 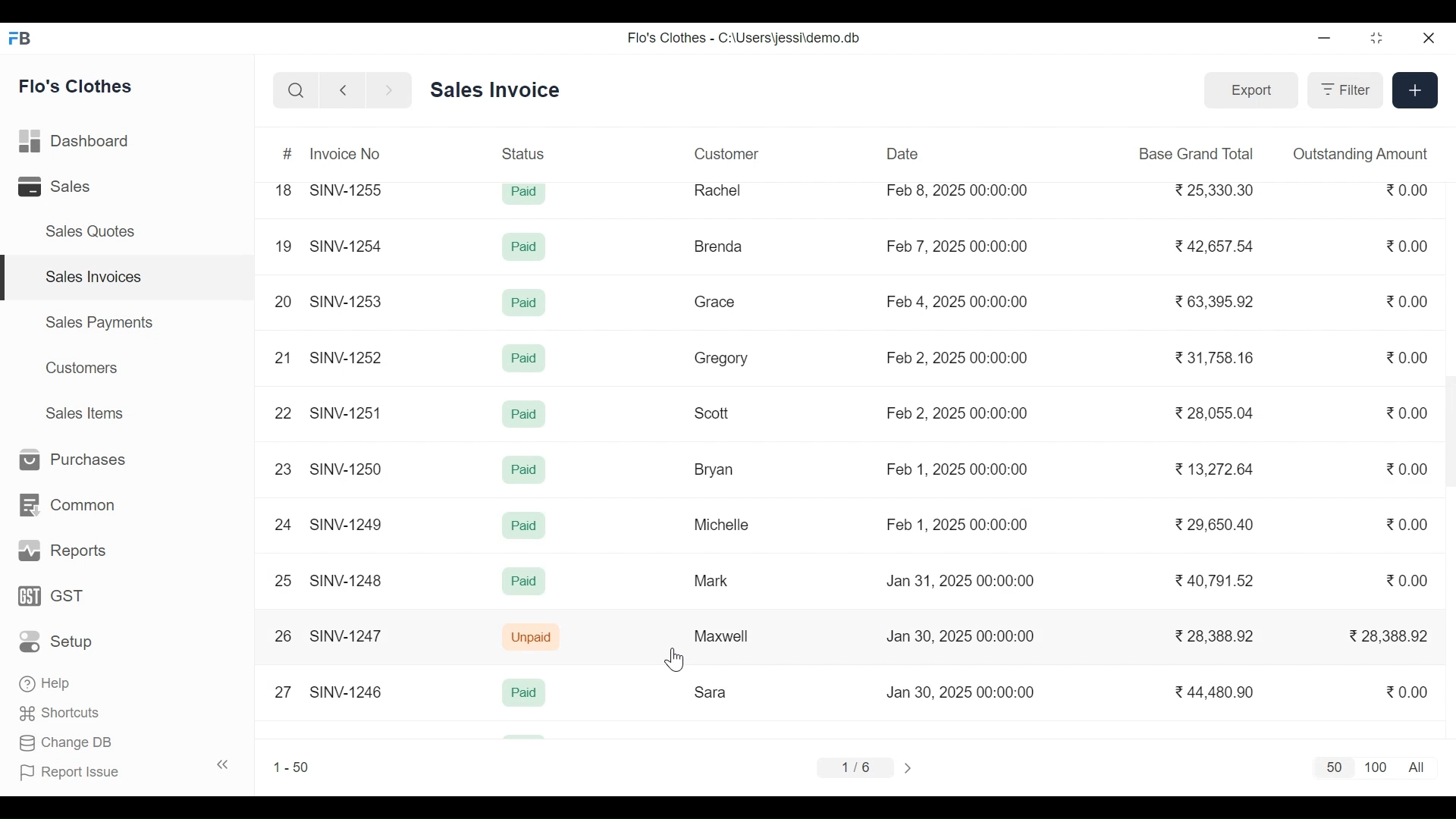 What do you see at coordinates (1377, 39) in the screenshot?
I see `Restore` at bounding box center [1377, 39].